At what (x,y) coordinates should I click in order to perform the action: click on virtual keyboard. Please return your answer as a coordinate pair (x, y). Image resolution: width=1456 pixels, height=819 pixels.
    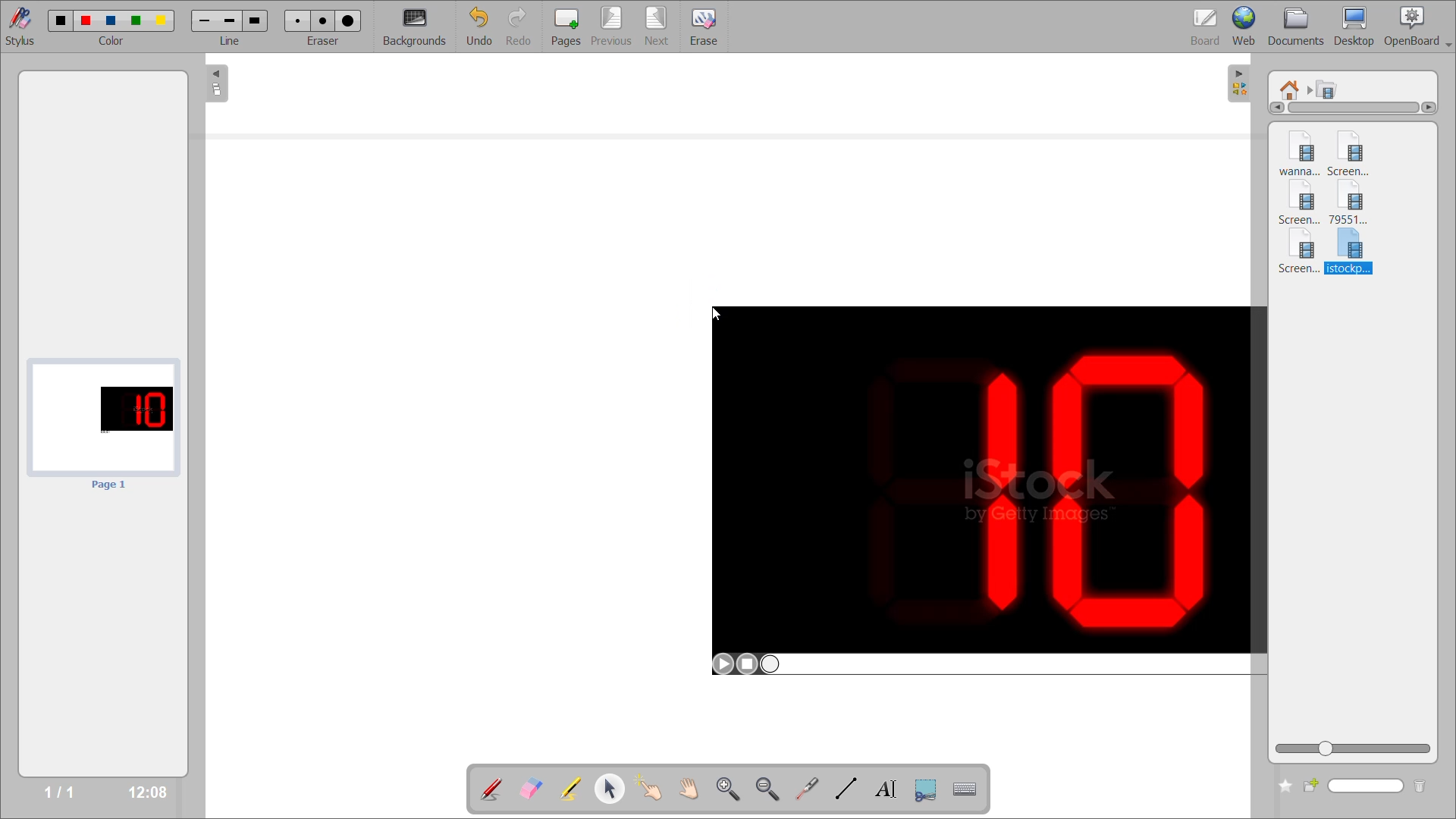
    Looking at the image, I should click on (970, 791).